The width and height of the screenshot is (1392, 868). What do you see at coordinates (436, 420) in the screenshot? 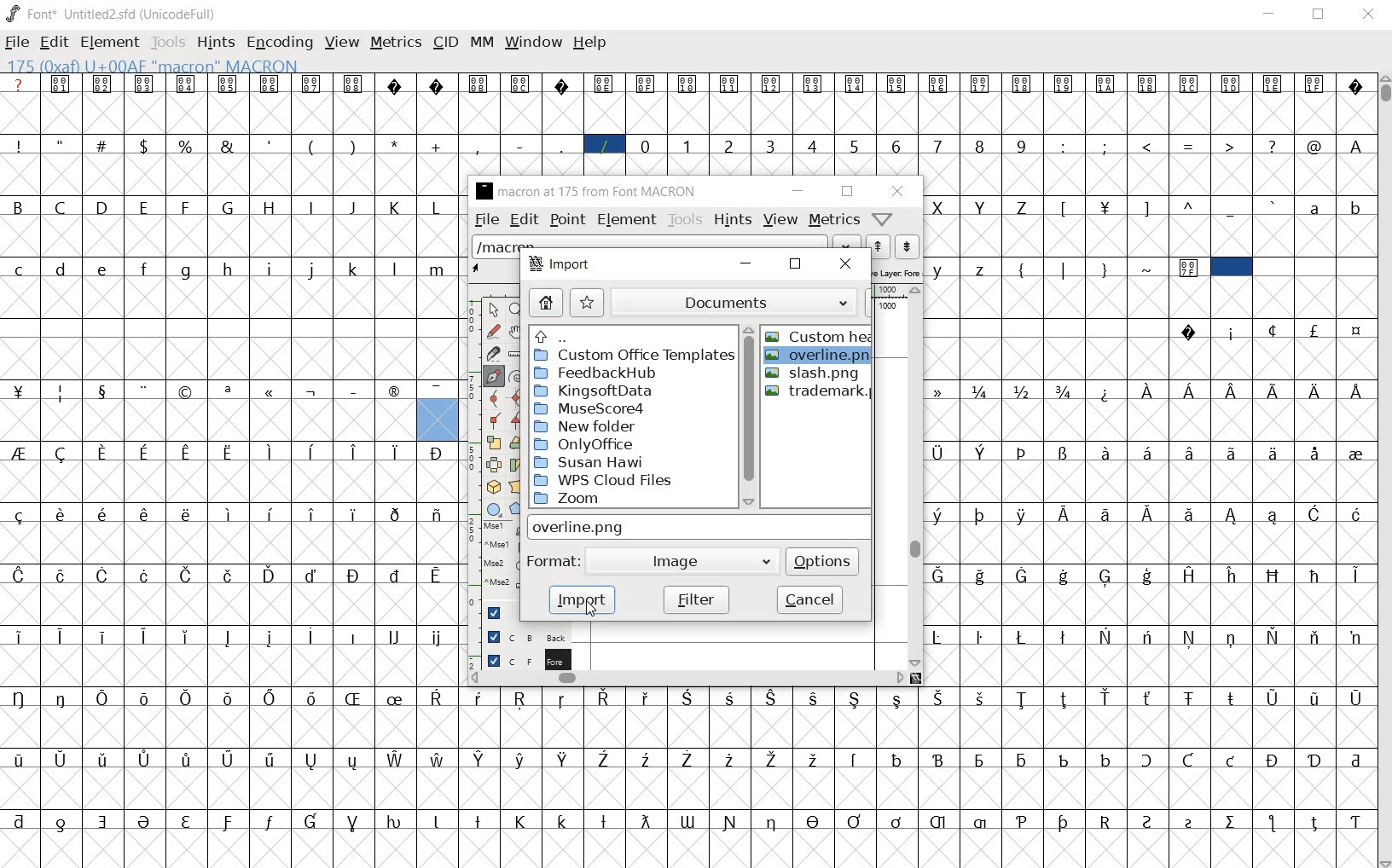
I see `glyph slot` at bounding box center [436, 420].